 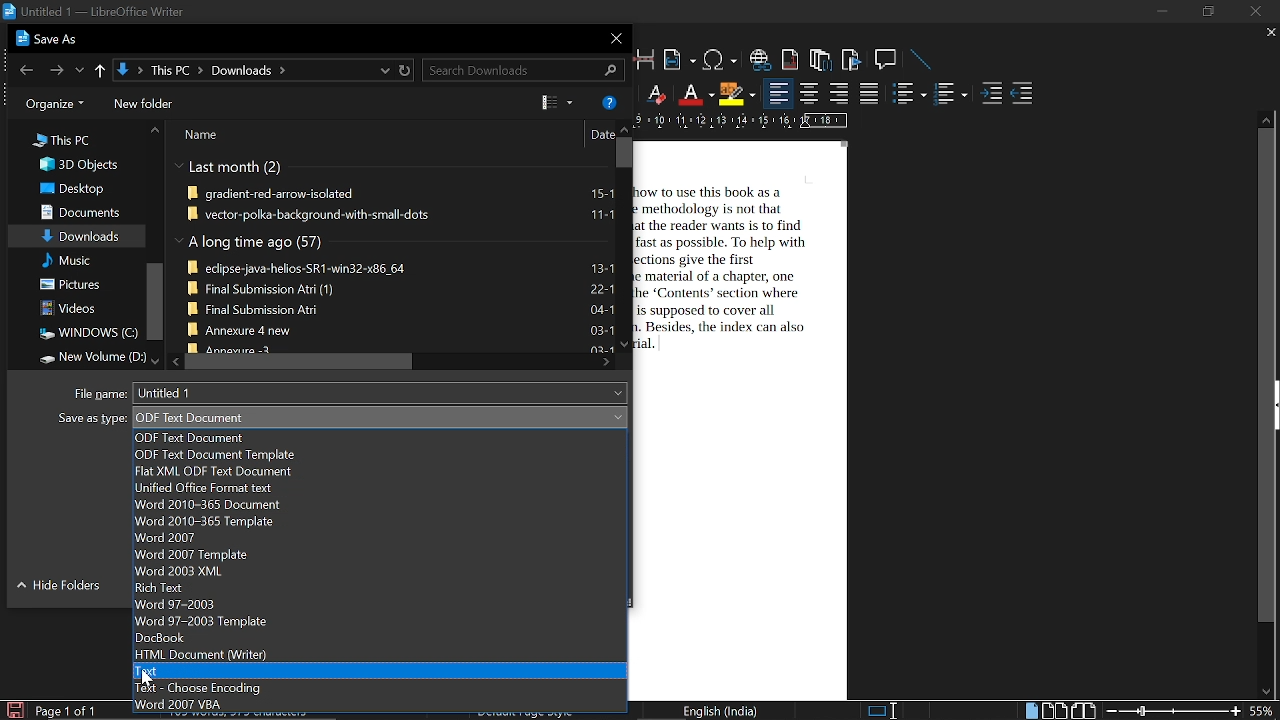 I want to click on Music, so click(x=67, y=261).